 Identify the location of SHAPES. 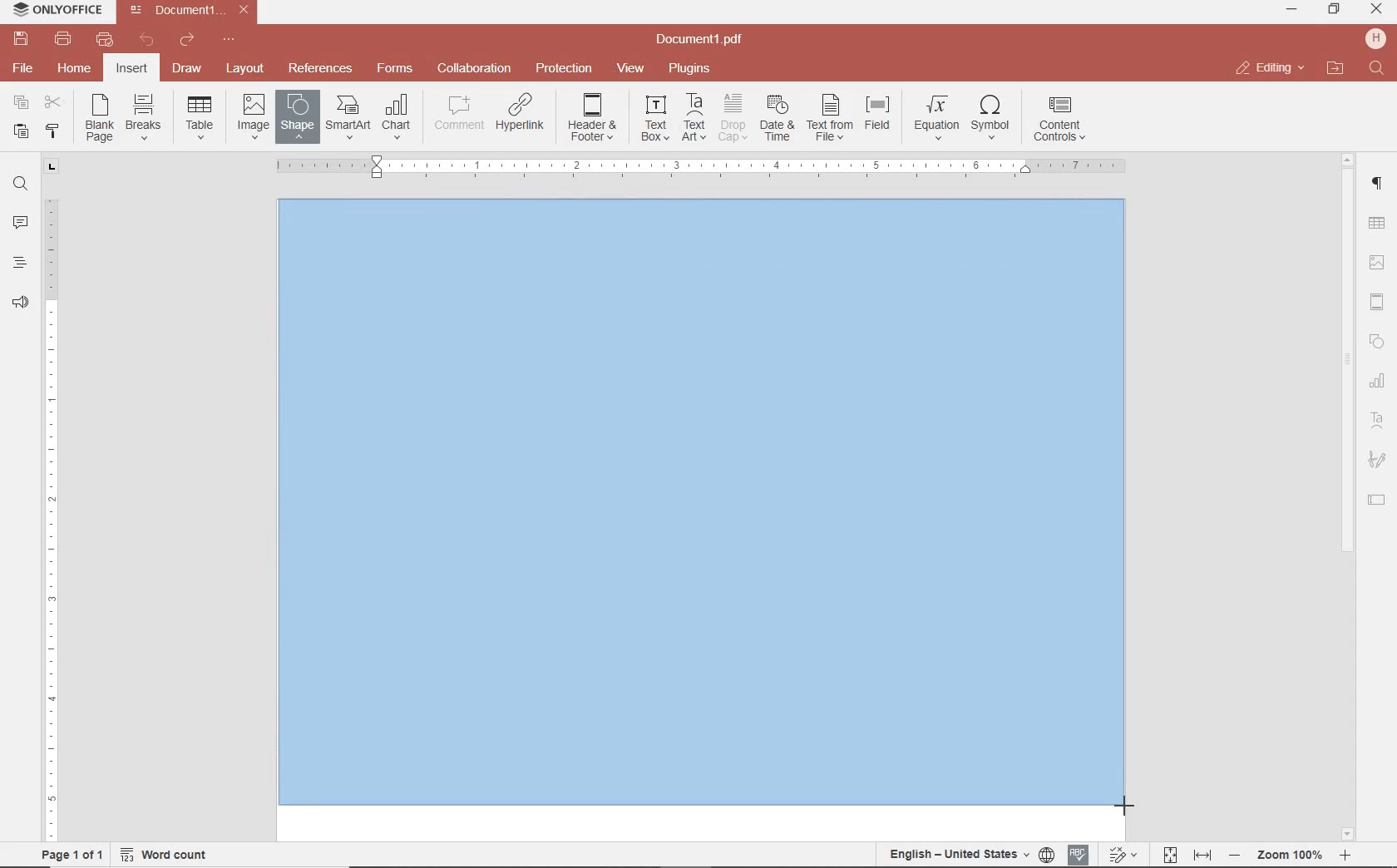
(1378, 343).